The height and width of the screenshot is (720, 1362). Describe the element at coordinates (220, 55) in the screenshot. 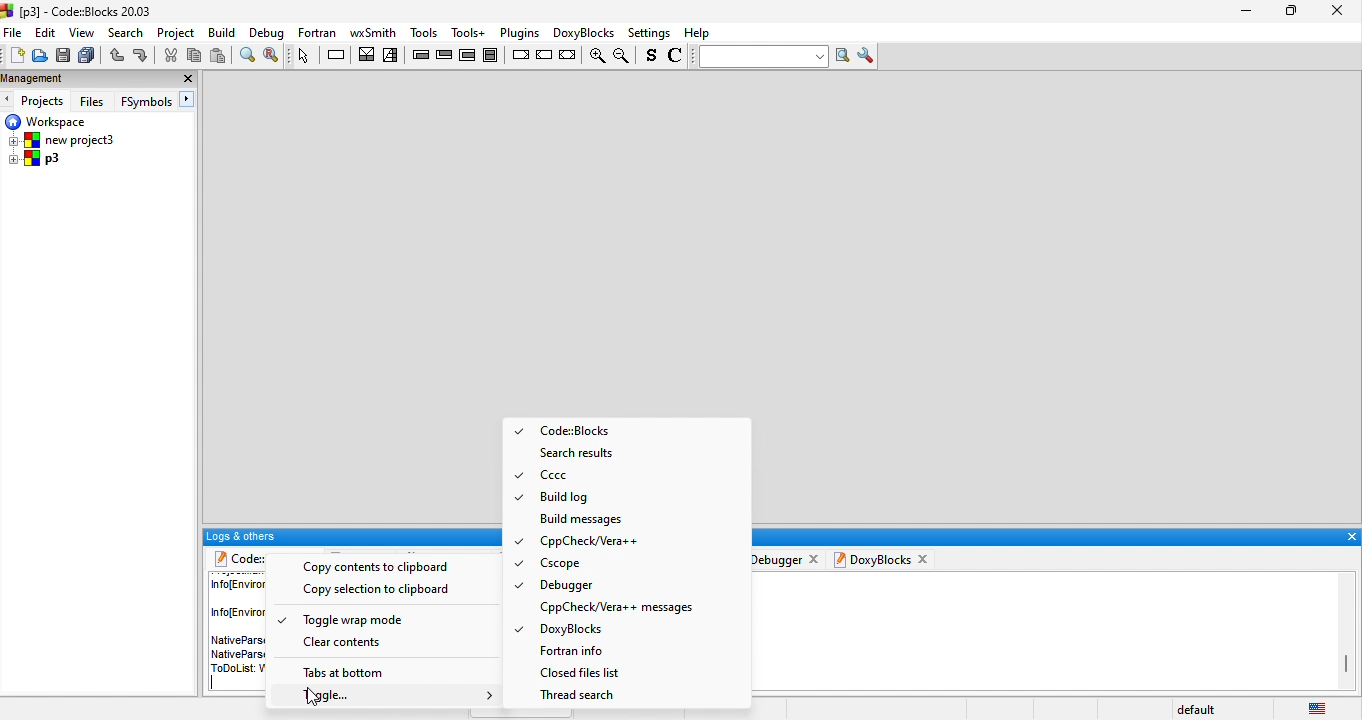

I see `paste` at that location.